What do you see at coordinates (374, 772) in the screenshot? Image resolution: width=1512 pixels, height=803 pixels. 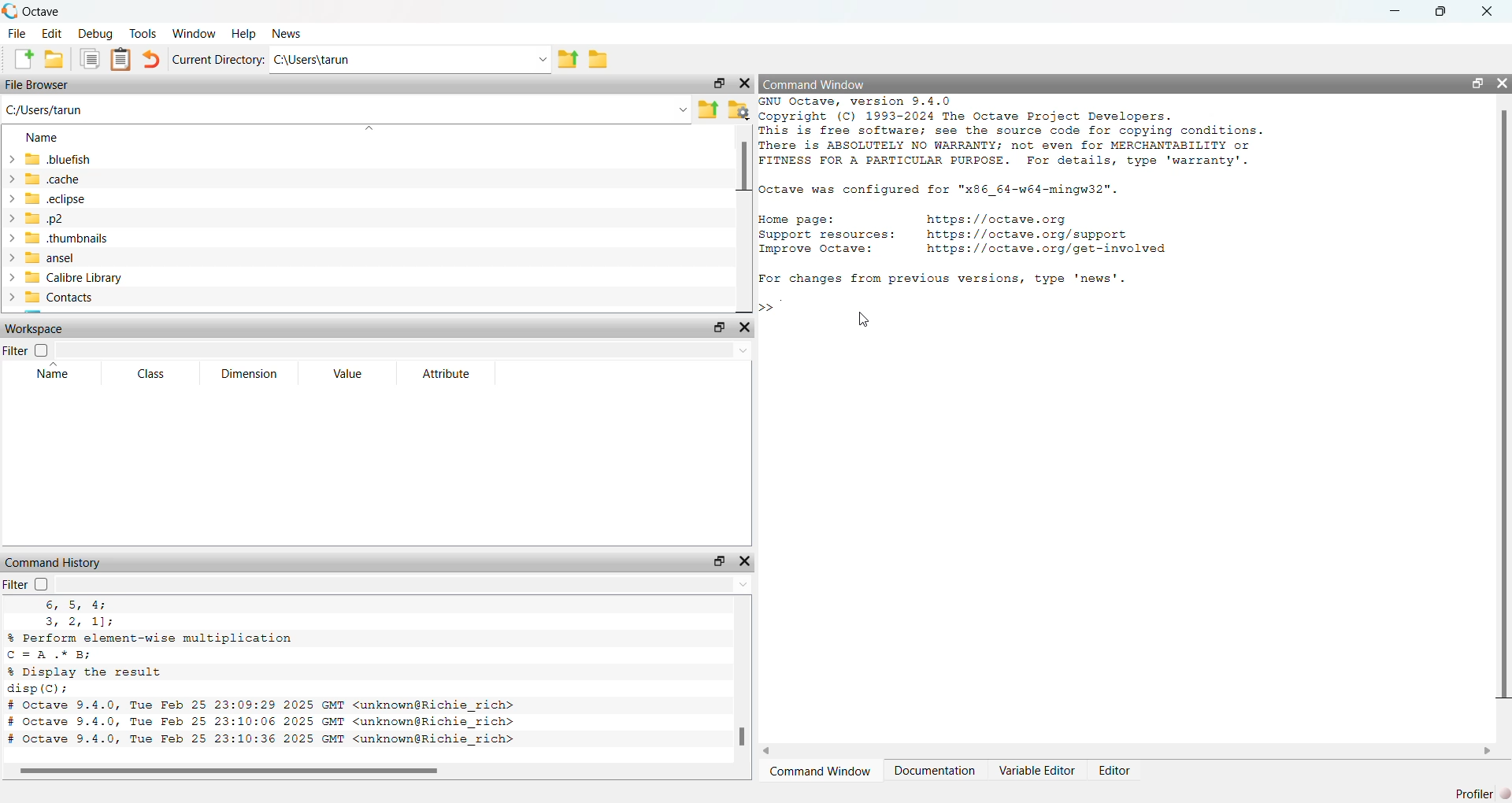 I see `Scroll` at bounding box center [374, 772].